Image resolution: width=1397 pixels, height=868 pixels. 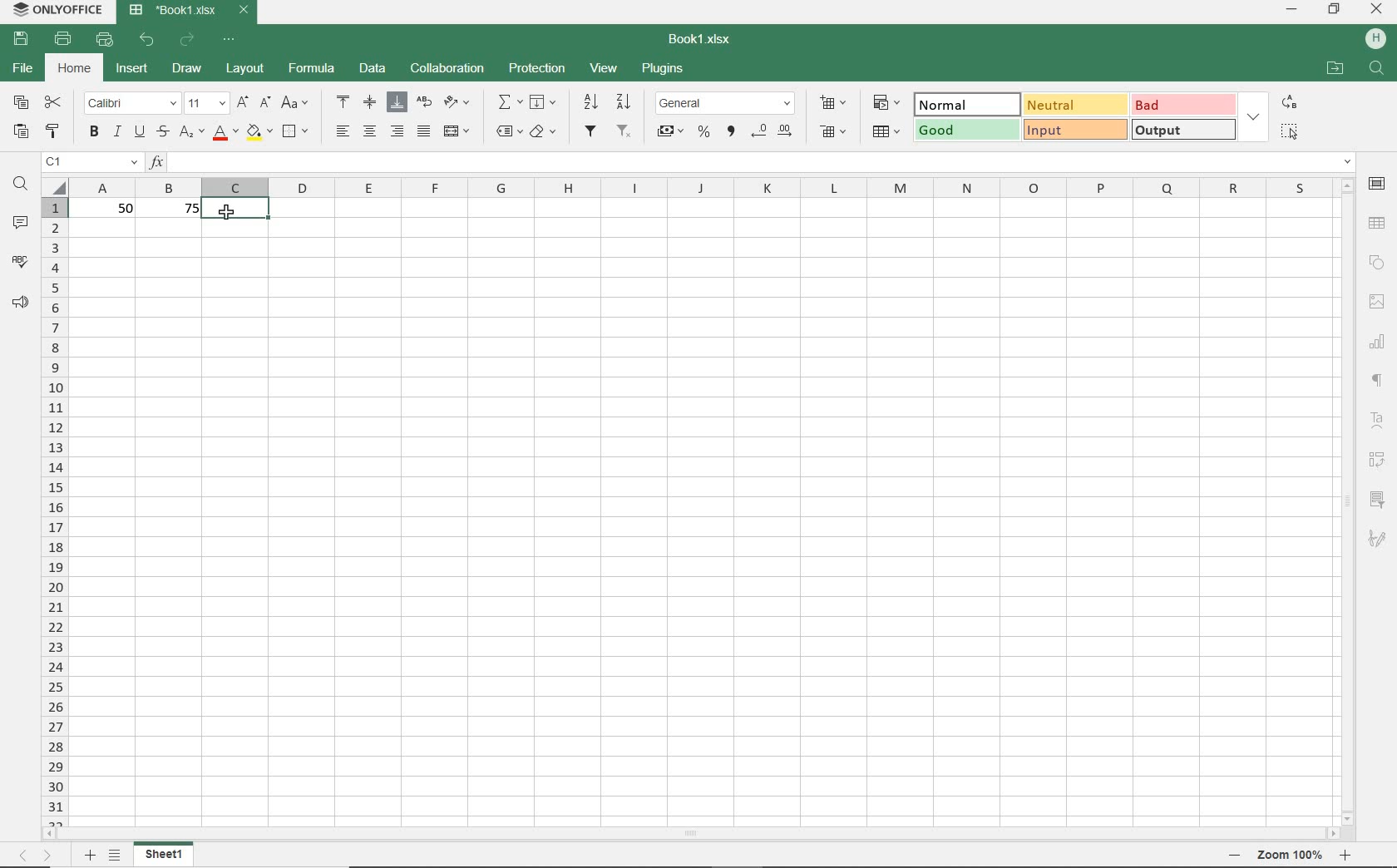 What do you see at coordinates (119, 209) in the screenshot?
I see `50` at bounding box center [119, 209].